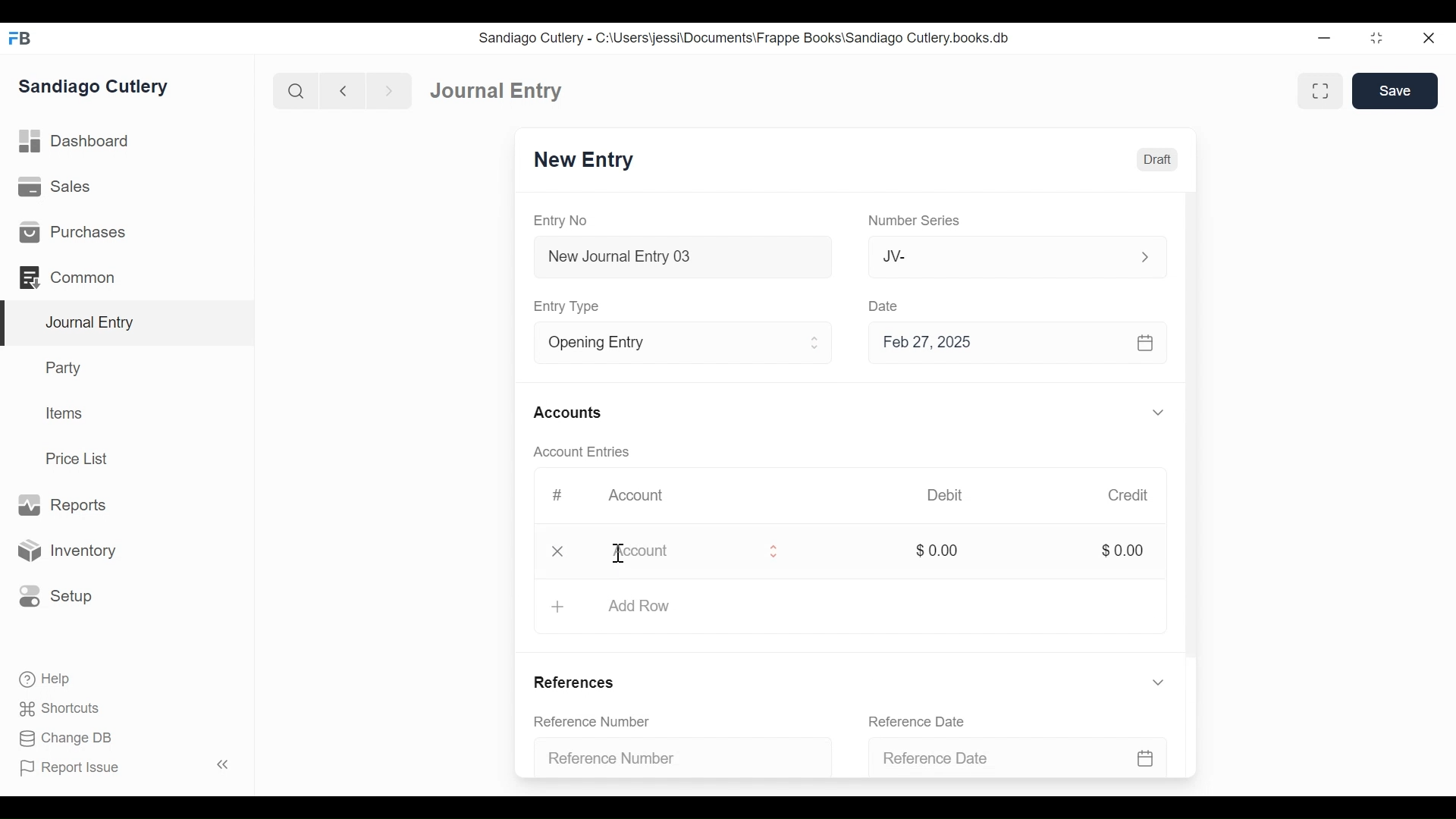 This screenshot has width=1456, height=819. What do you see at coordinates (1143, 256) in the screenshot?
I see `Expand` at bounding box center [1143, 256].